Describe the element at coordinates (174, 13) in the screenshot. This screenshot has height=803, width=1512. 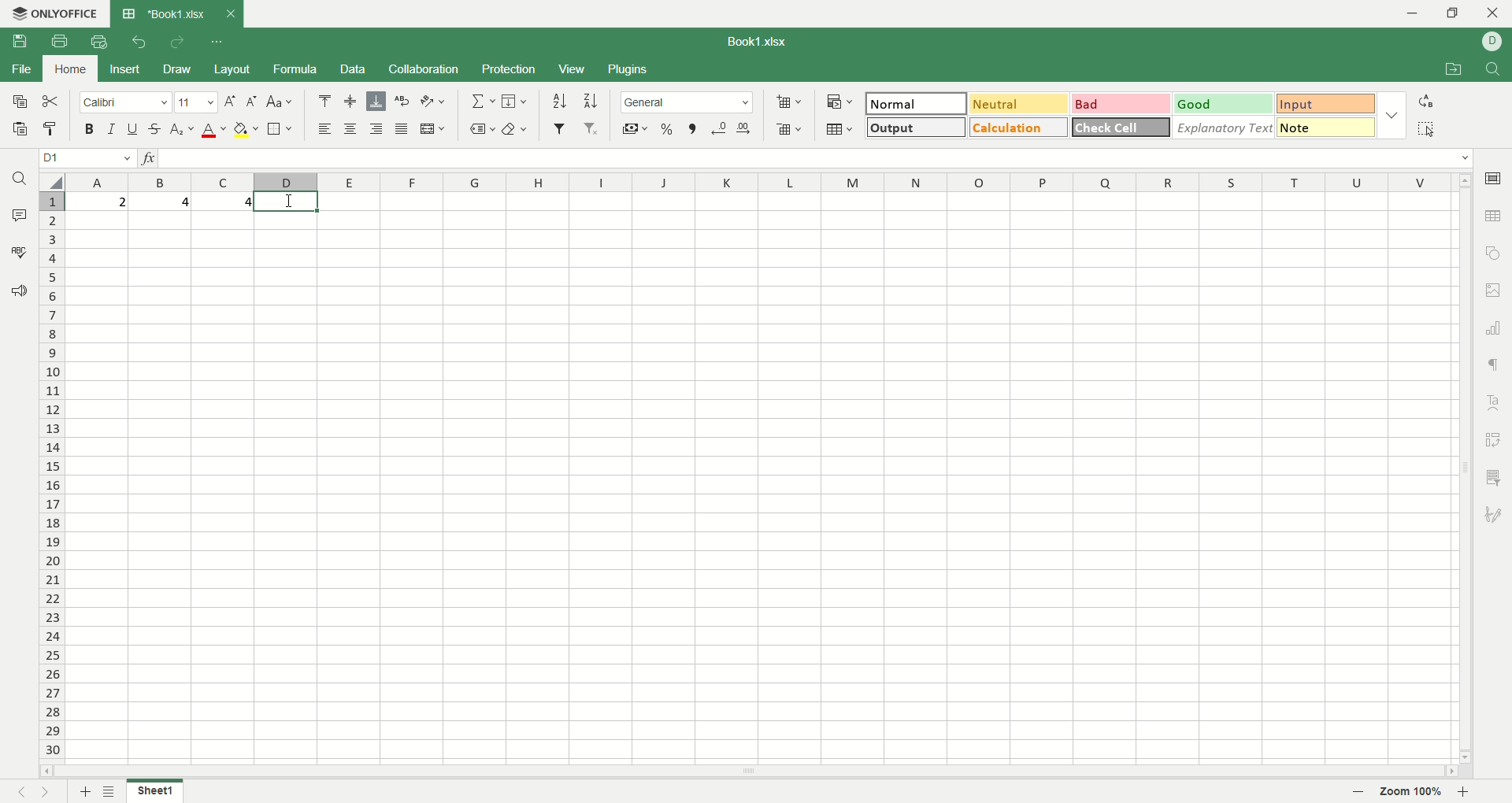
I see `title` at that location.